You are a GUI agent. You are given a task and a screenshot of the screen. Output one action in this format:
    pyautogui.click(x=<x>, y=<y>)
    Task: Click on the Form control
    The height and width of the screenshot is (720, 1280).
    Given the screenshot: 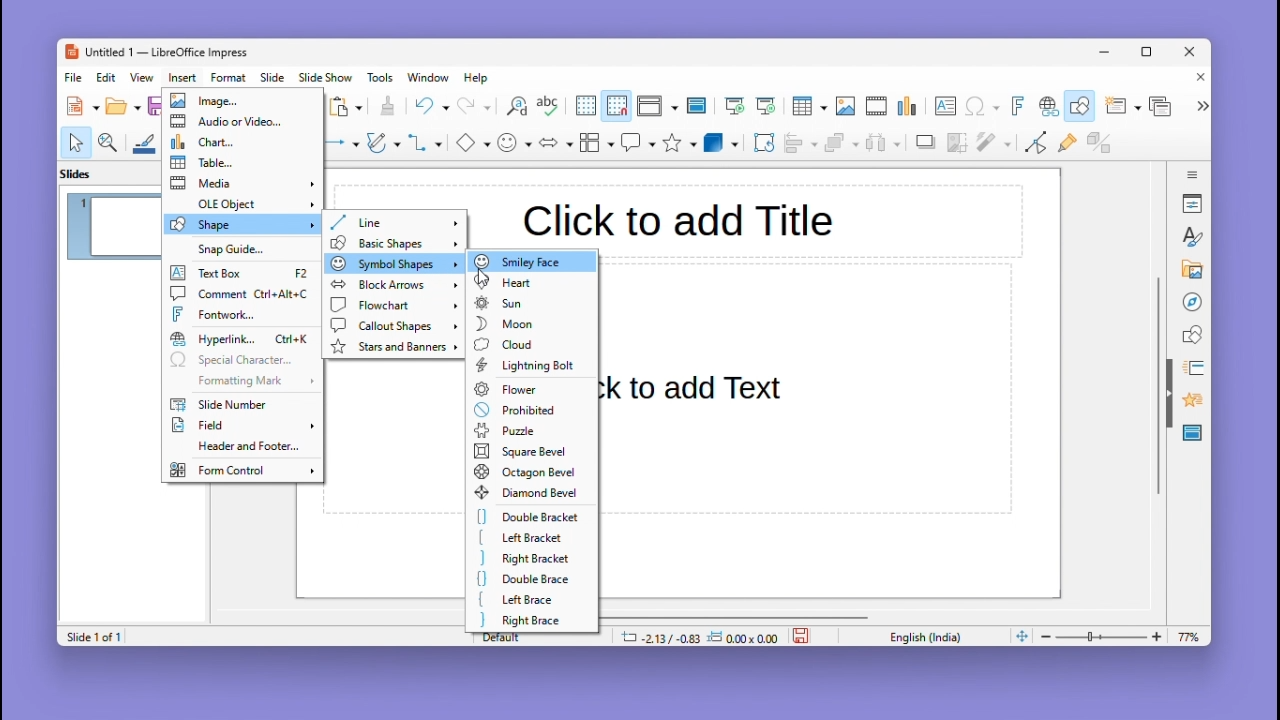 What is the action you would take?
    pyautogui.click(x=241, y=469)
    